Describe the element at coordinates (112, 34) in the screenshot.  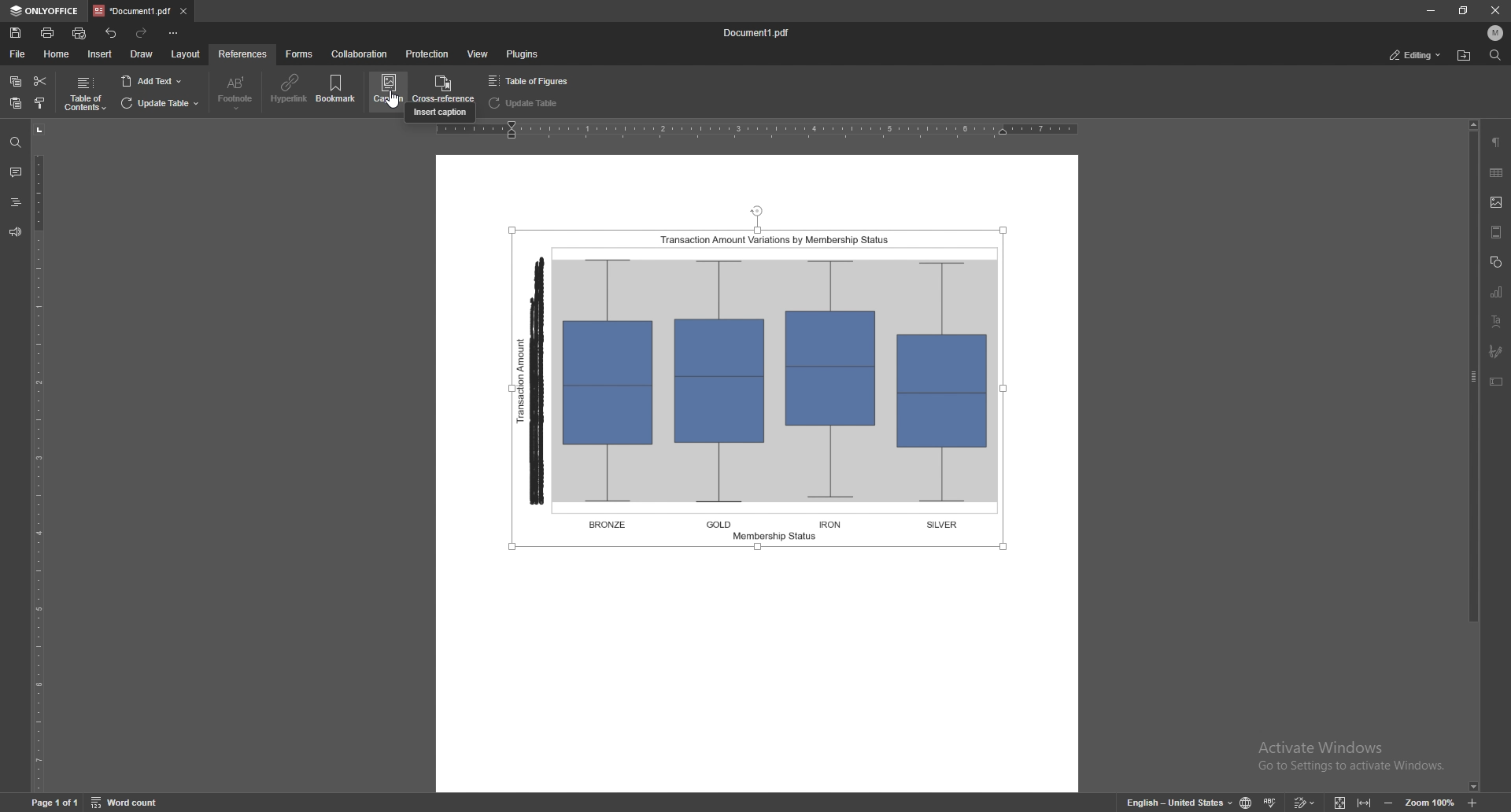
I see `undo` at that location.